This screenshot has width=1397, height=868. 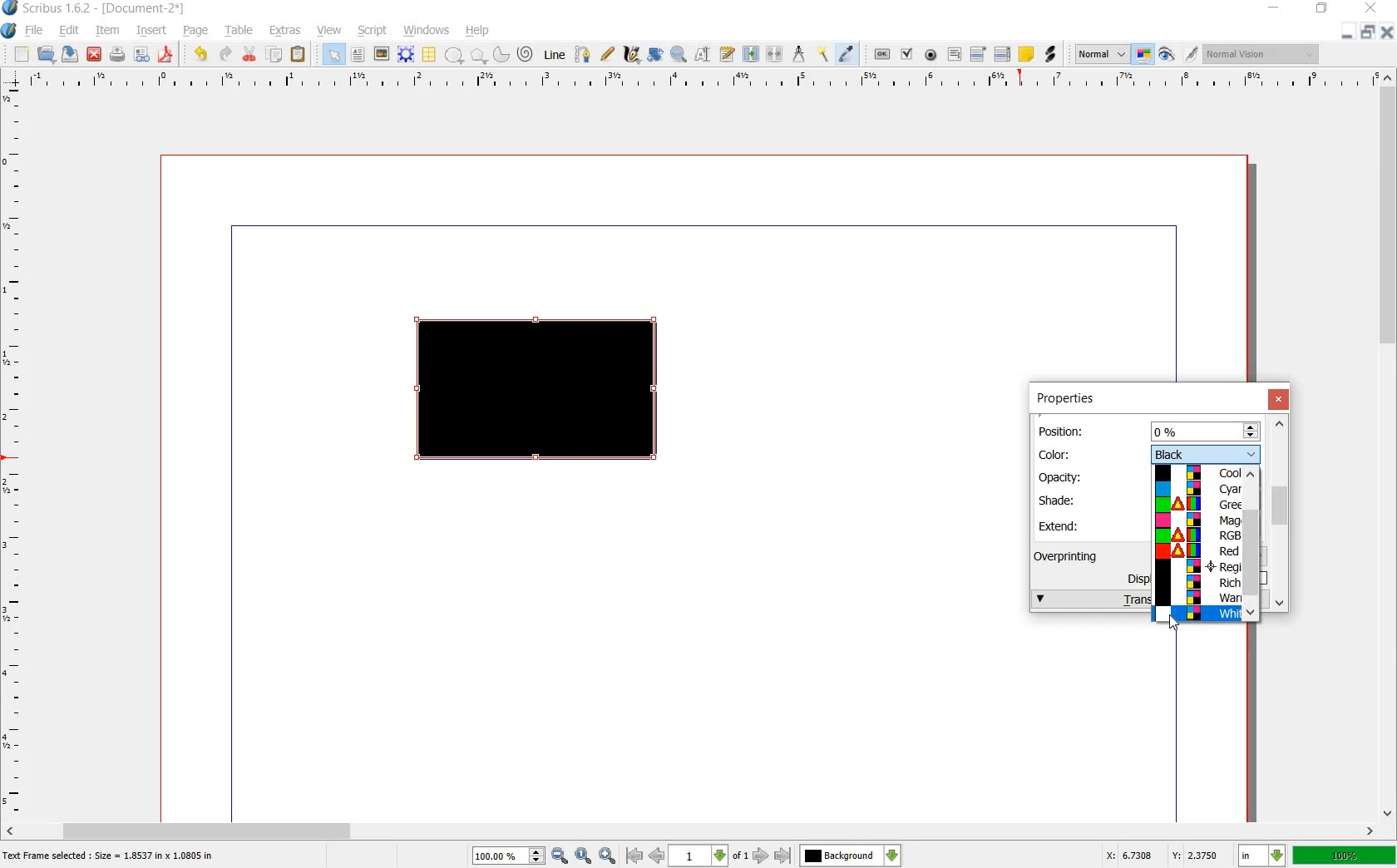 What do you see at coordinates (1062, 525) in the screenshot?
I see `extend` at bounding box center [1062, 525].